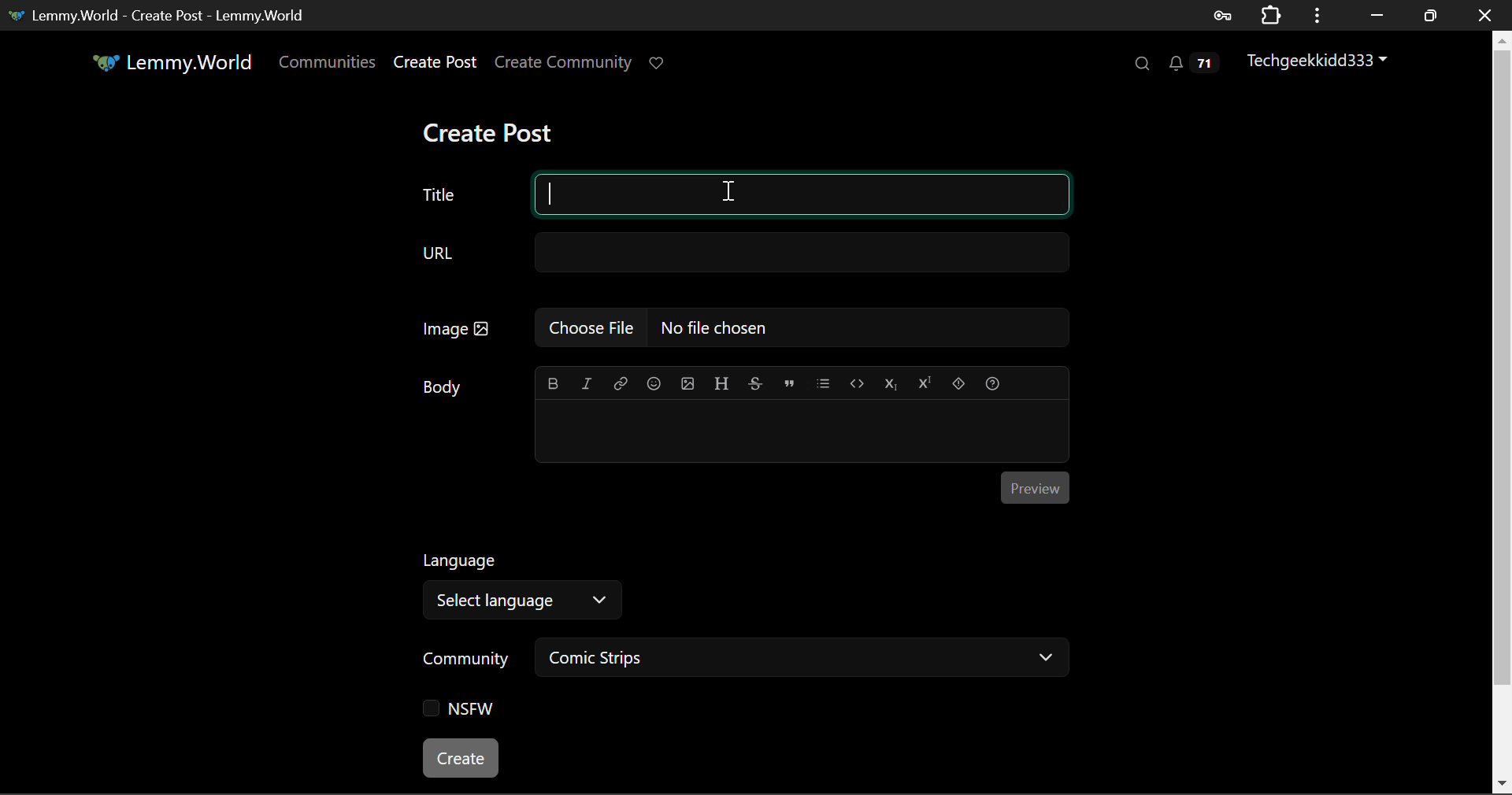 The image size is (1512, 795). Describe the element at coordinates (462, 558) in the screenshot. I see `Language` at that location.